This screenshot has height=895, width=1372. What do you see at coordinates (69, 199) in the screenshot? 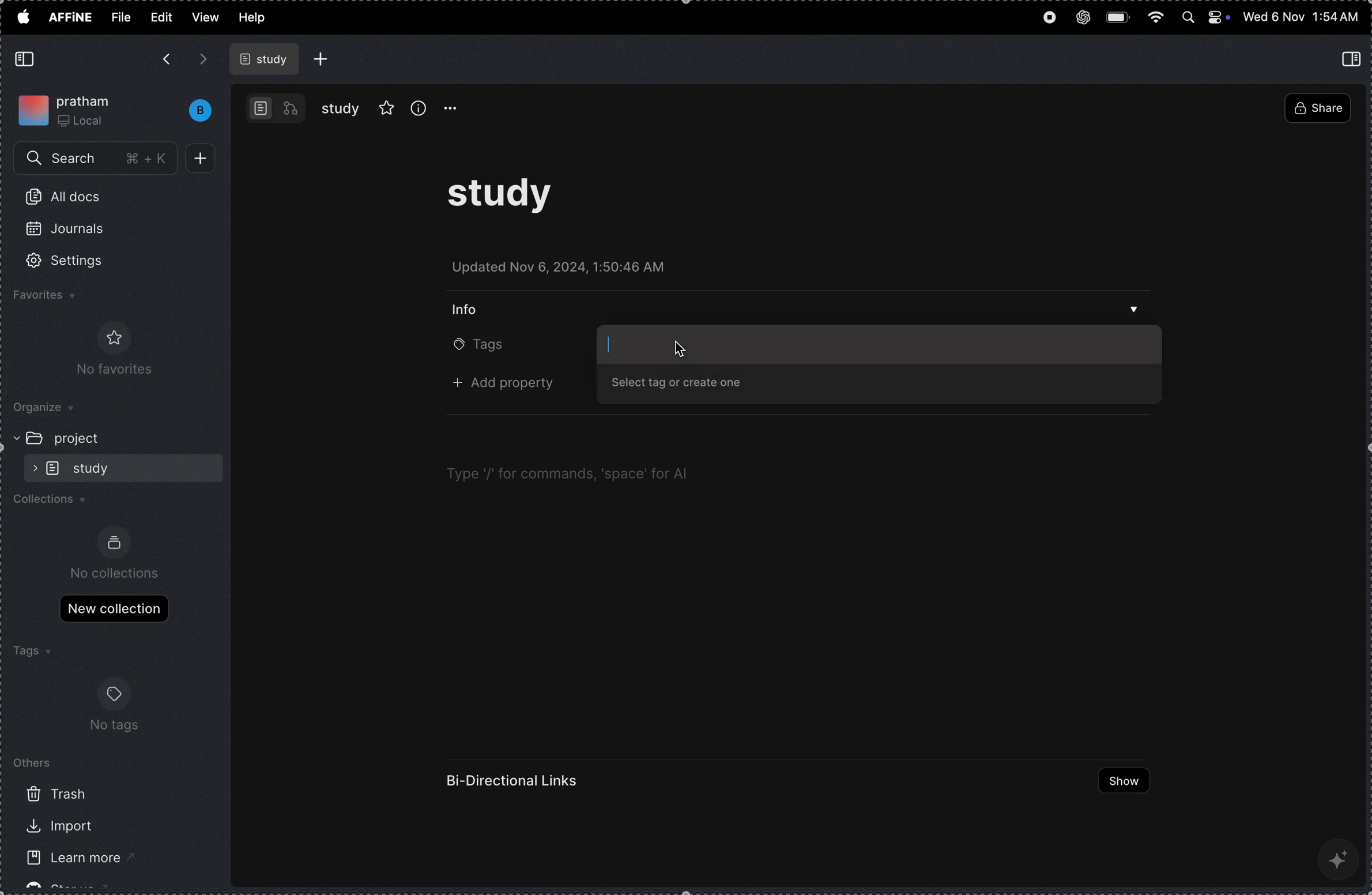
I see `all docs` at bounding box center [69, 199].